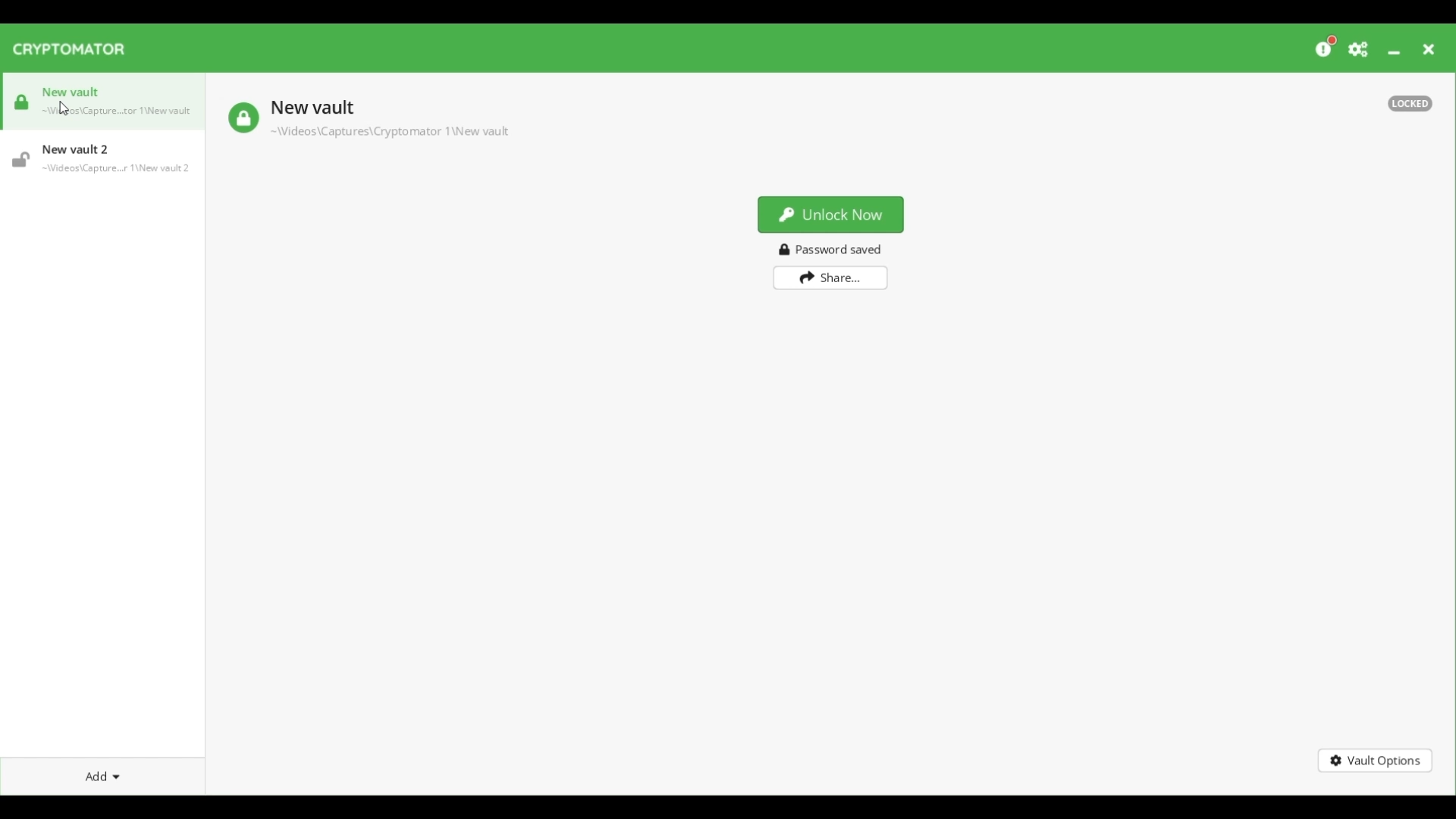 The image size is (1456, 819). Describe the element at coordinates (834, 249) in the screenshot. I see `Password menu of selected vault` at that location.